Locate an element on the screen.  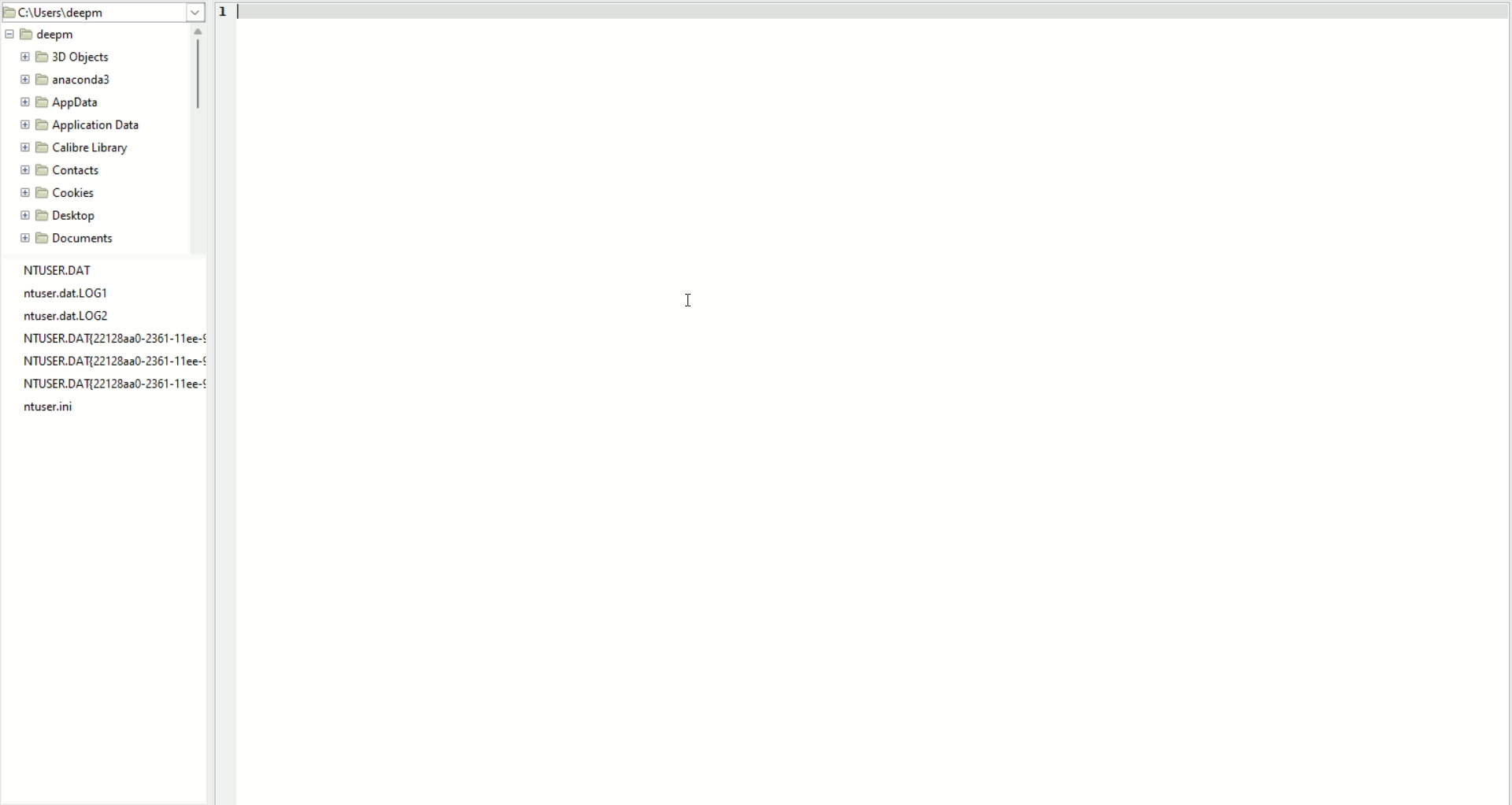
file name is located at coordinates (112, 384).